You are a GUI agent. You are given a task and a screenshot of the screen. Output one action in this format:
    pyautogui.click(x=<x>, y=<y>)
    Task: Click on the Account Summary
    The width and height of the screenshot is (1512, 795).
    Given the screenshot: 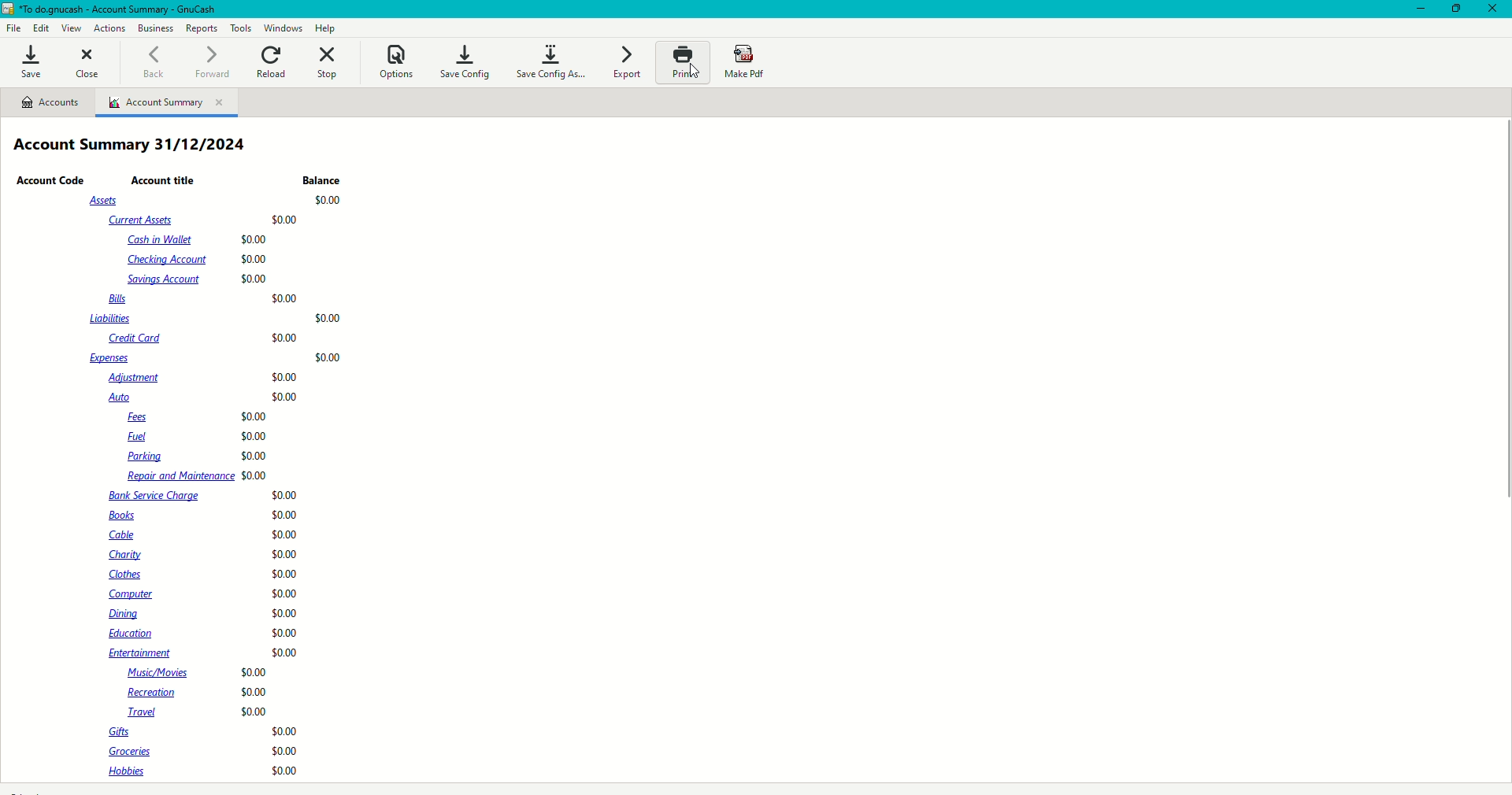 What is the action you would take?
    pyautogui.click(x=169, y=103)
    